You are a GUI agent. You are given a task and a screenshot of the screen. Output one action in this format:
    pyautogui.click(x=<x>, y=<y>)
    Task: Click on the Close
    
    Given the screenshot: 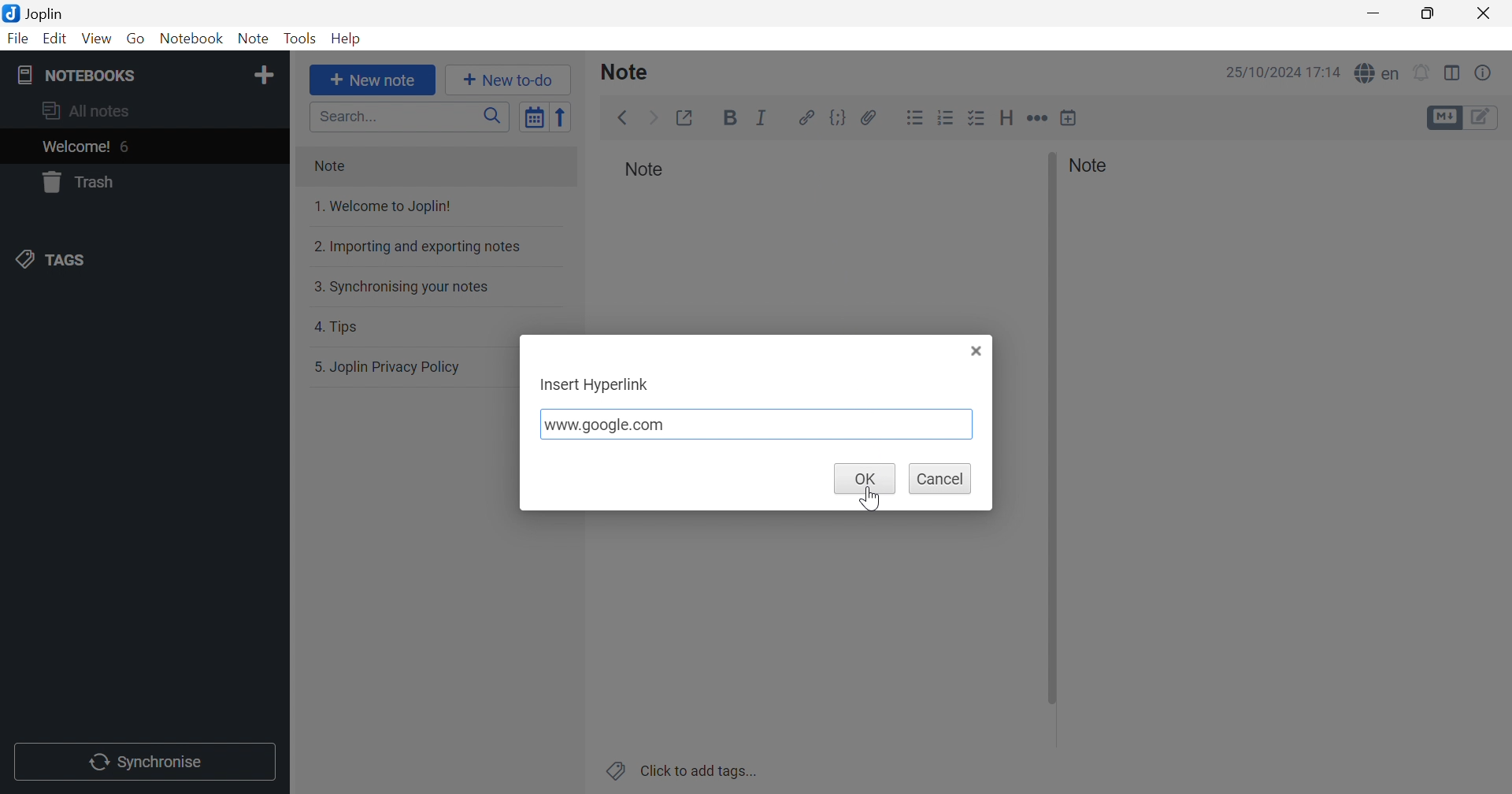 What is the action you would take?
    pyautogui.click(x=1484, y=13)
    